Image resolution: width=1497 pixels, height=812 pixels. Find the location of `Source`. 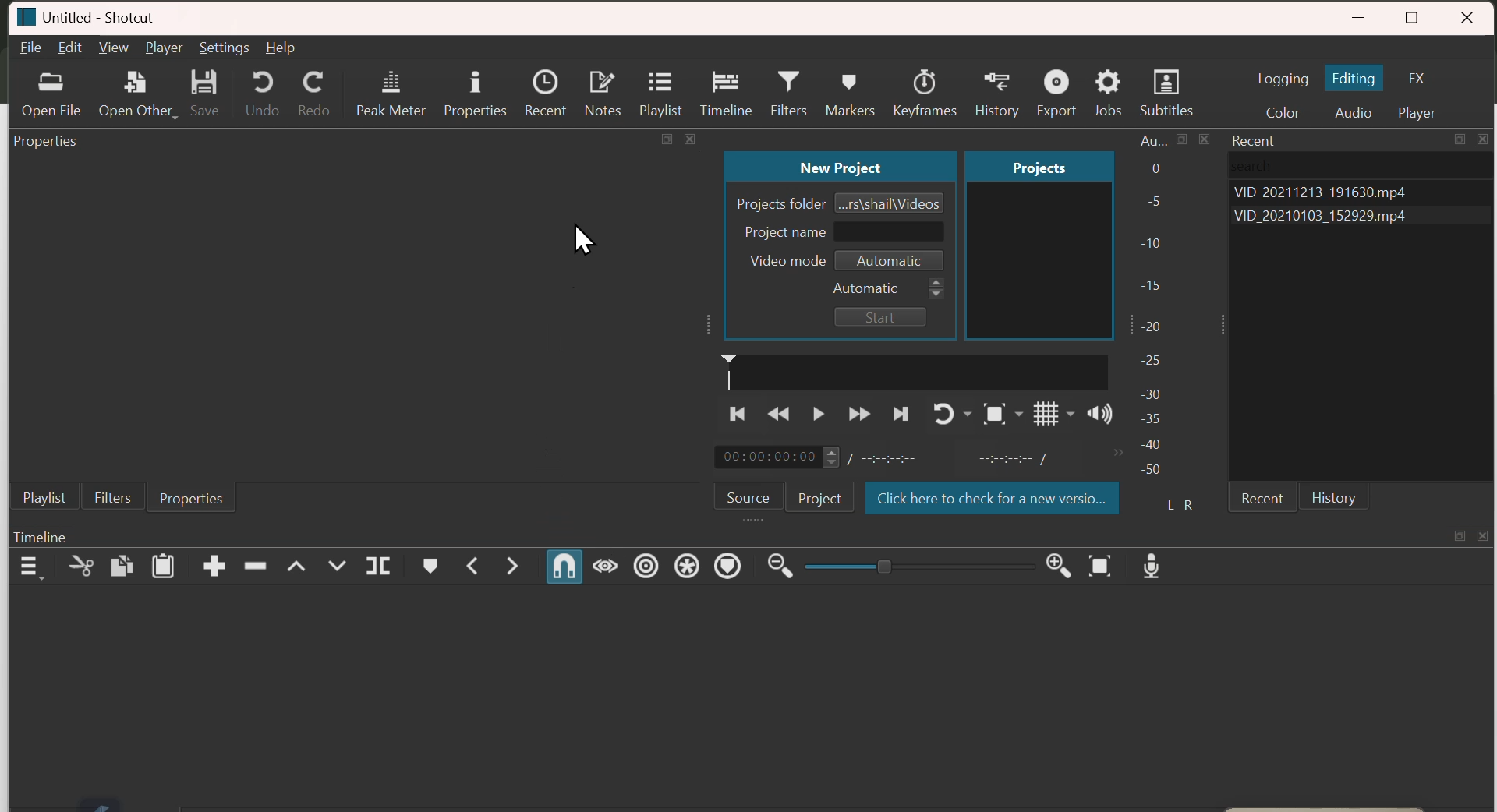

Source is located at coordinates (747, 496).